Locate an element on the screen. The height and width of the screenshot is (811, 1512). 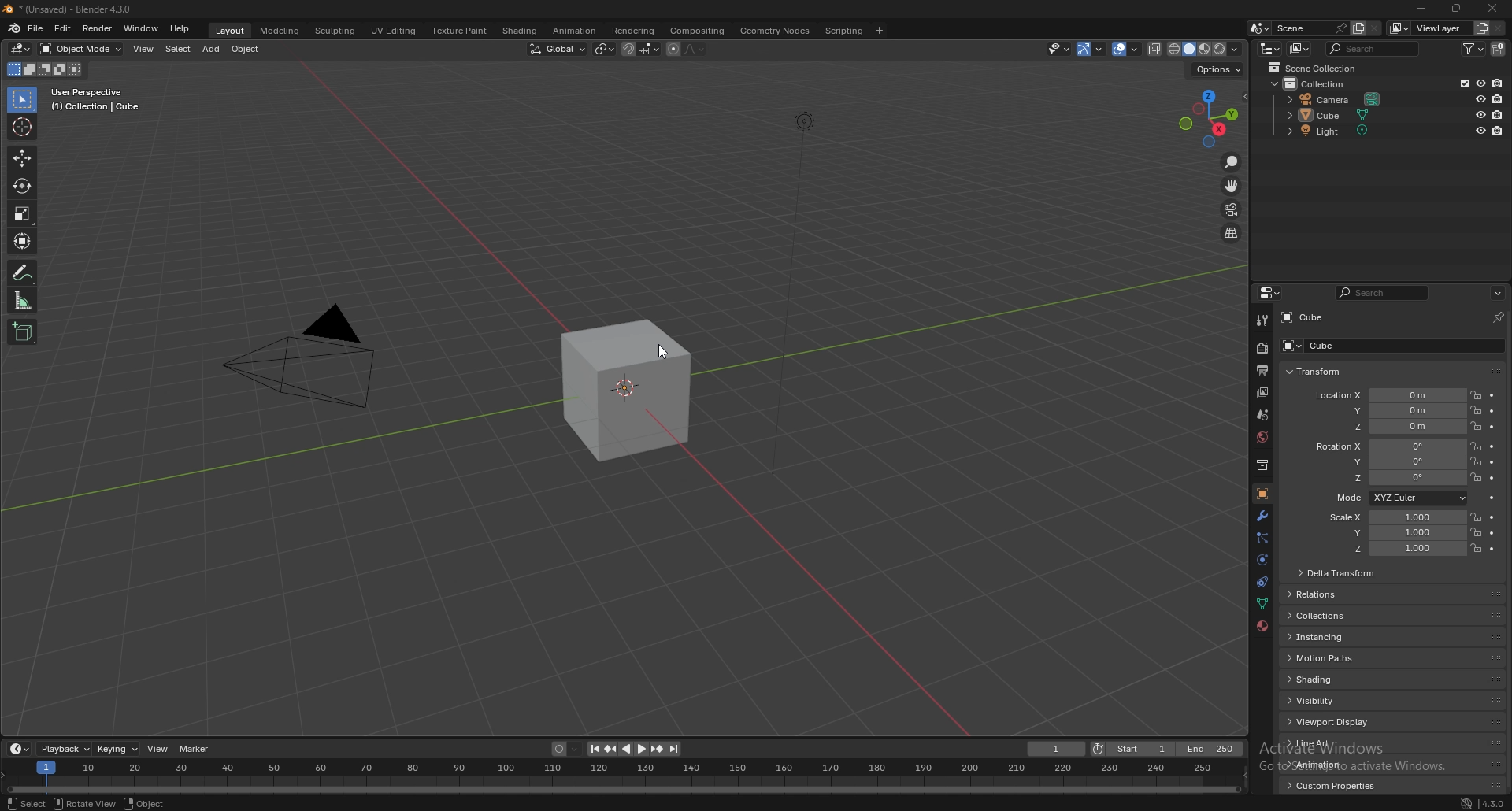
lock is located at coordinates (1475, 517).